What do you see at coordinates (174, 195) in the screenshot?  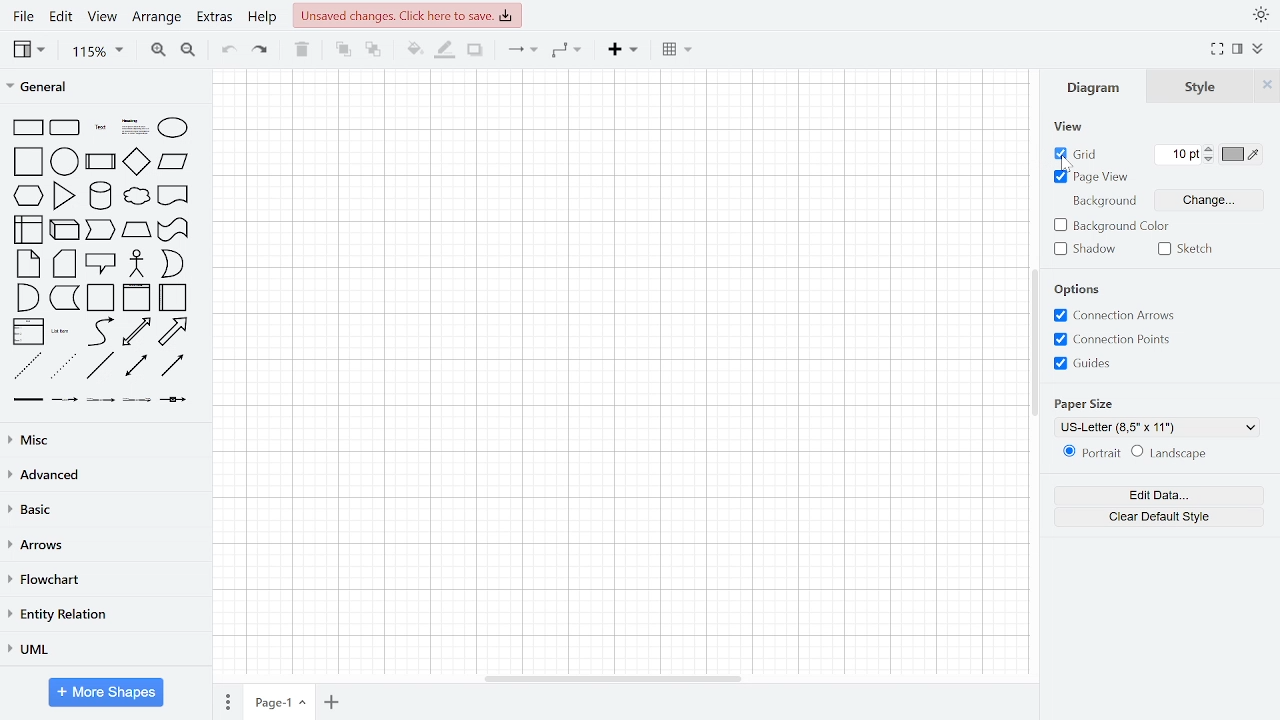 I see `document` at bounding box center [174, 195].